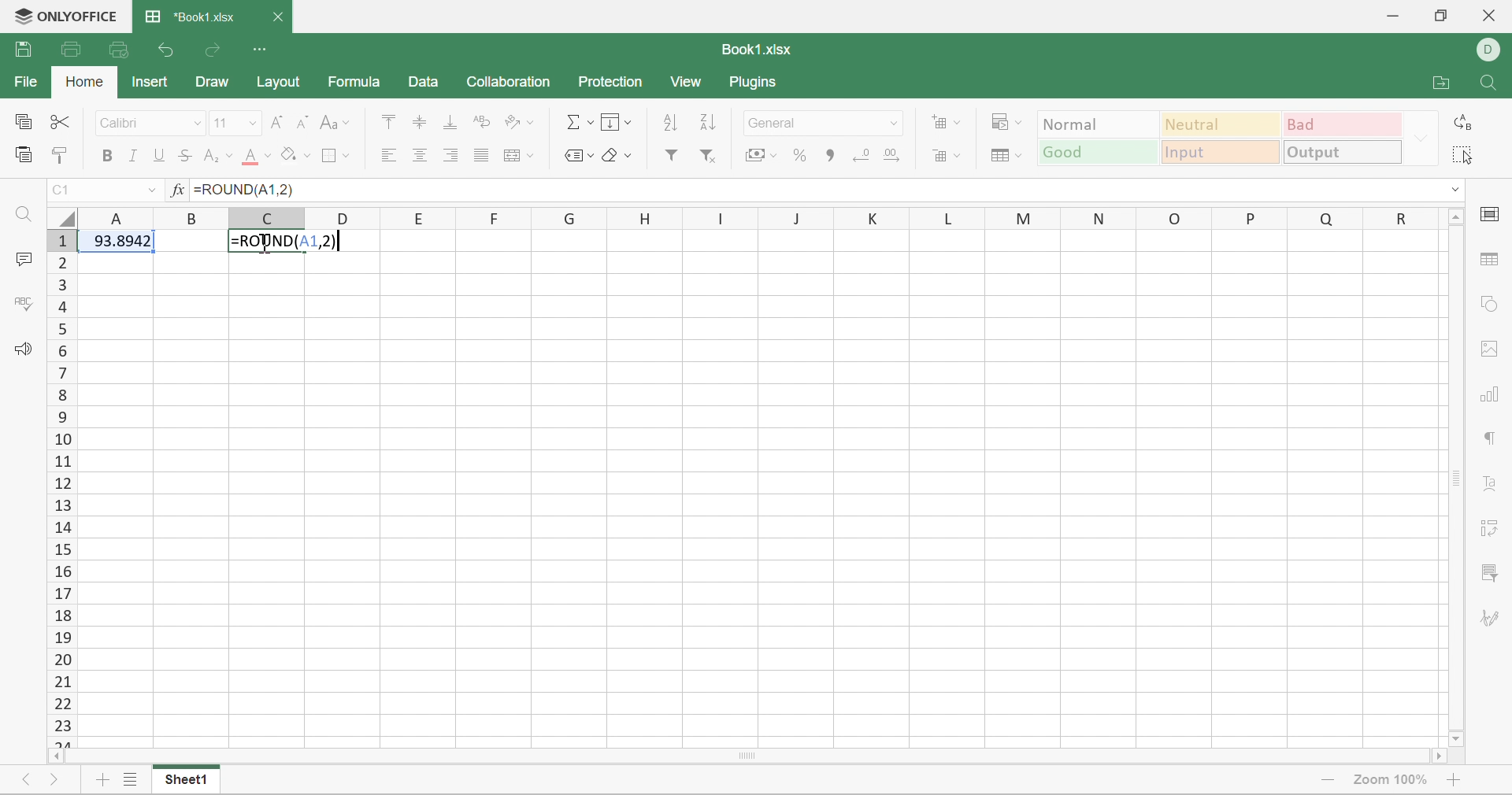 This screenshot has width=1512, height=795. Describe the element at coordinates (1390, 16) in the screenshot. I see `Minimize` at that location.